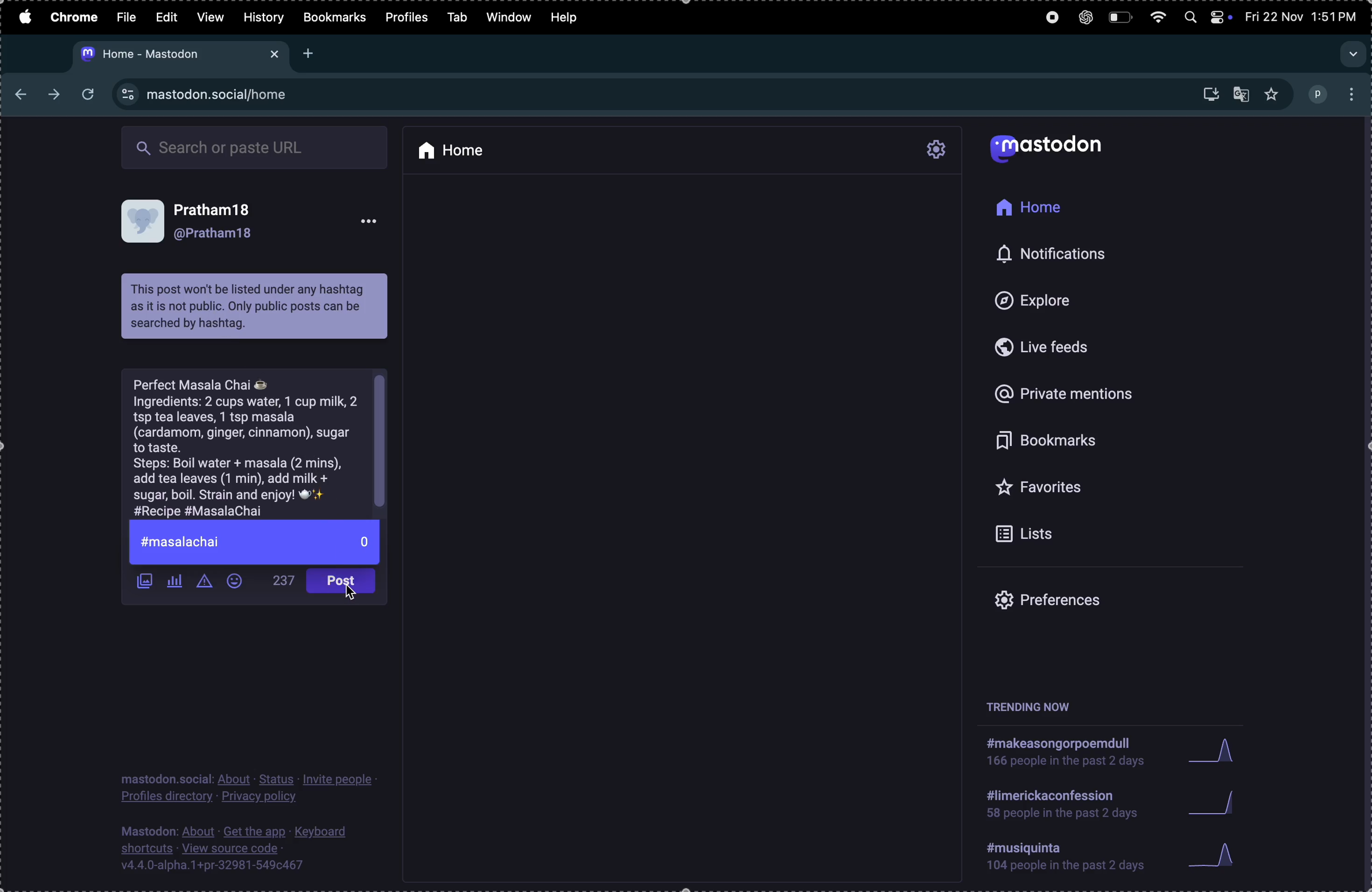 The width and height of the screenshot is (1372, 892). What do you see at coordinates (1272, 95) in the screenshot?
I see `favourites` at bounding box center [1272, 95].